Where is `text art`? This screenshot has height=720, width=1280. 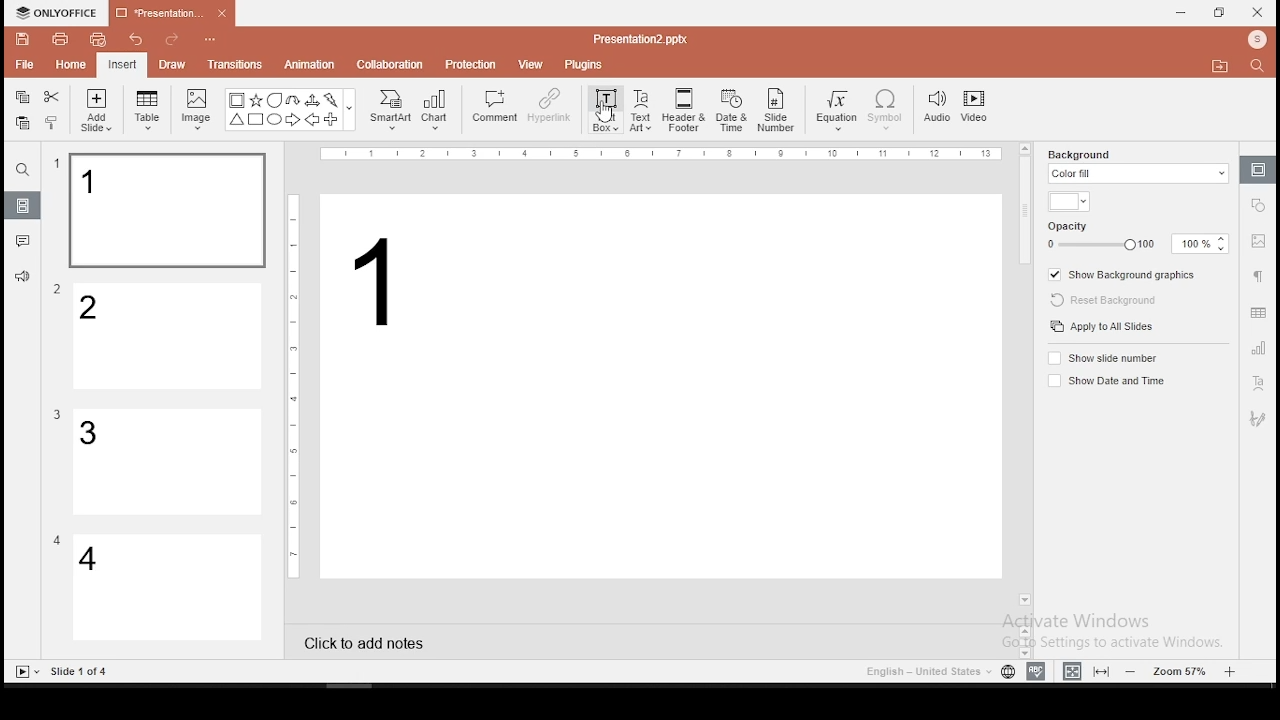 text art is located at coordinates (641, 109).